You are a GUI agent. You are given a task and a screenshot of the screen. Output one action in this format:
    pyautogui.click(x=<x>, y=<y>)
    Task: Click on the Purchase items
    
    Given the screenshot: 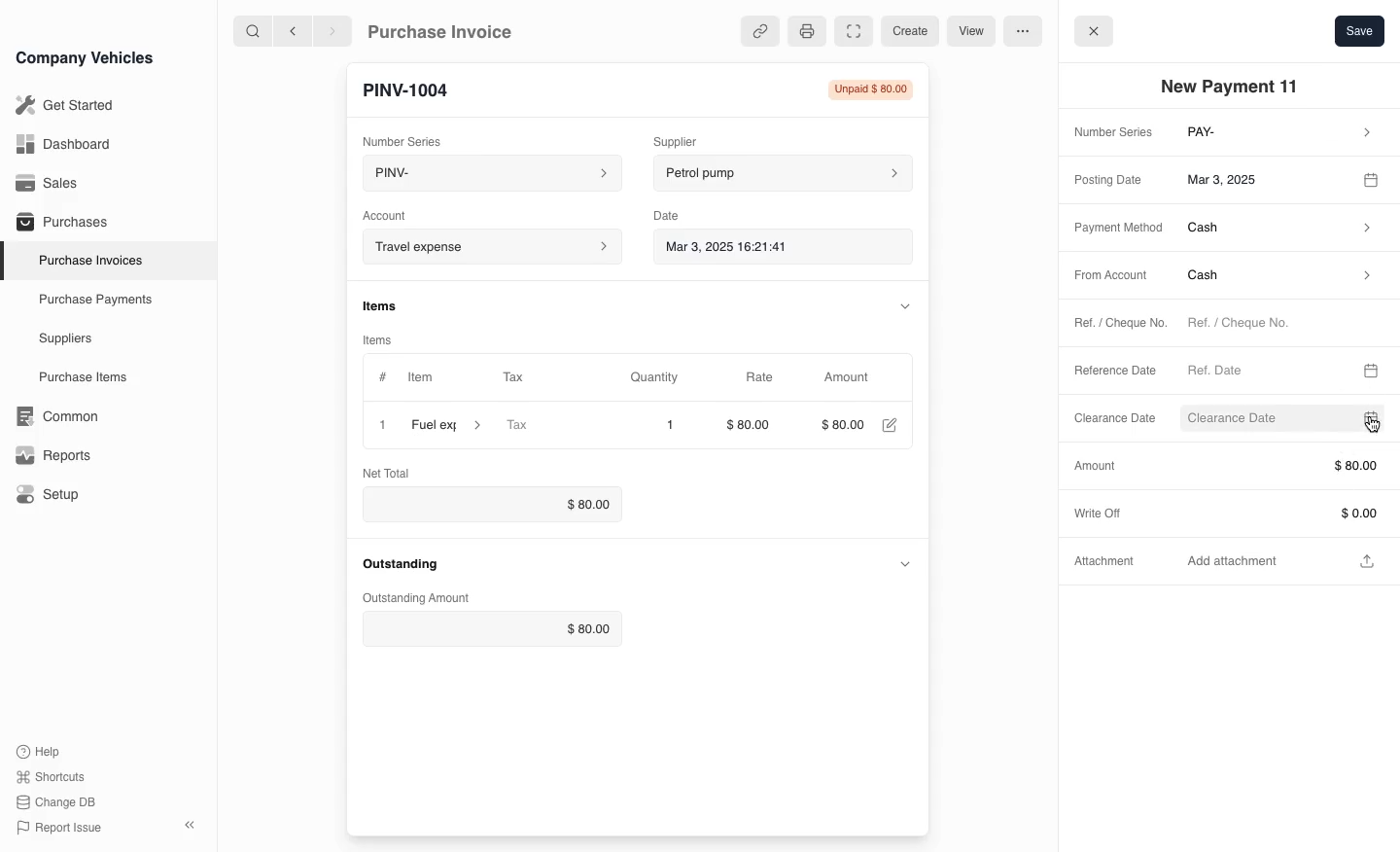 What is the action you would take?
    pyautogui.click(x=76, y=377)
    